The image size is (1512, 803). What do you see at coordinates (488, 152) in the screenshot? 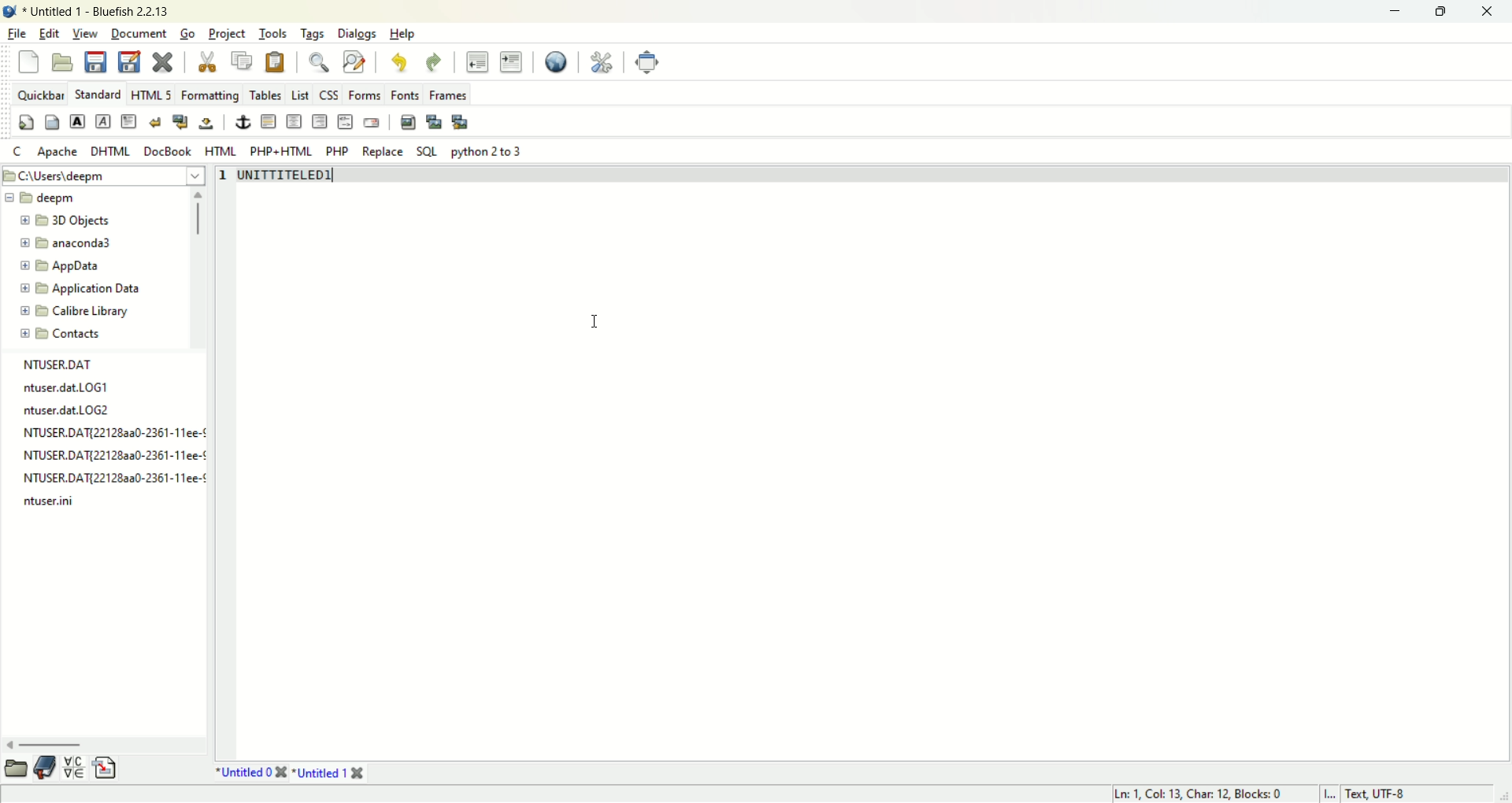
I see `python 2 to 3` at bounding box center [488, 152].